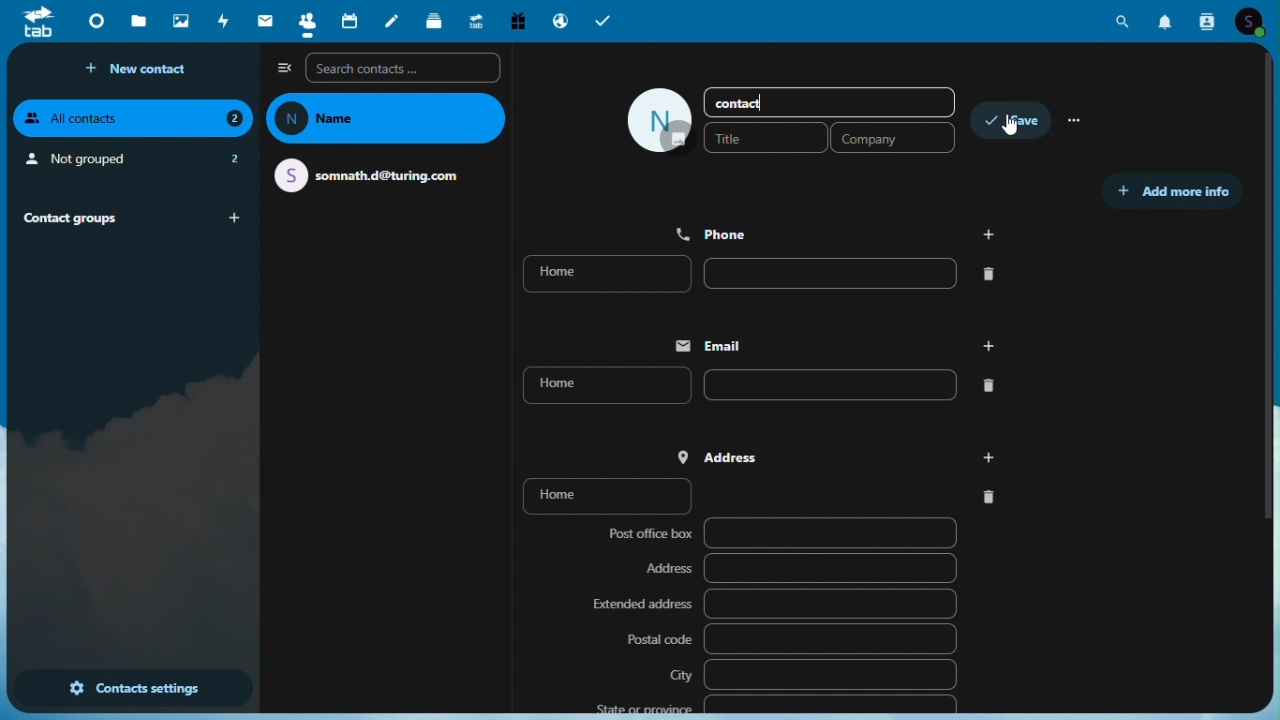  What do you see at coordinates (1077, 122) in the screenshot?
I see `ore options` at bounding box center [1077, 122].